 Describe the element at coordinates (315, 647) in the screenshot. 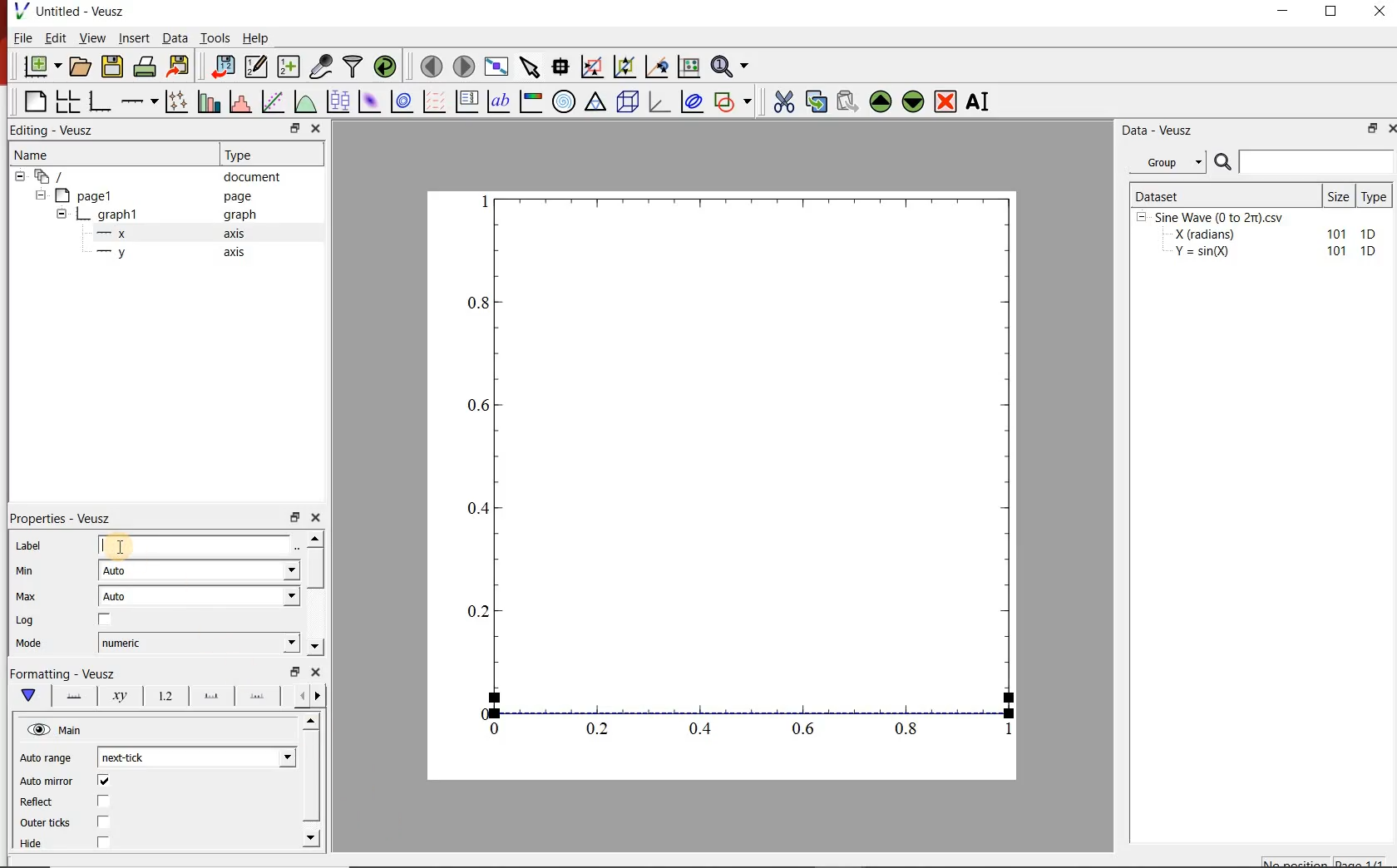

I see `Down` at that location.